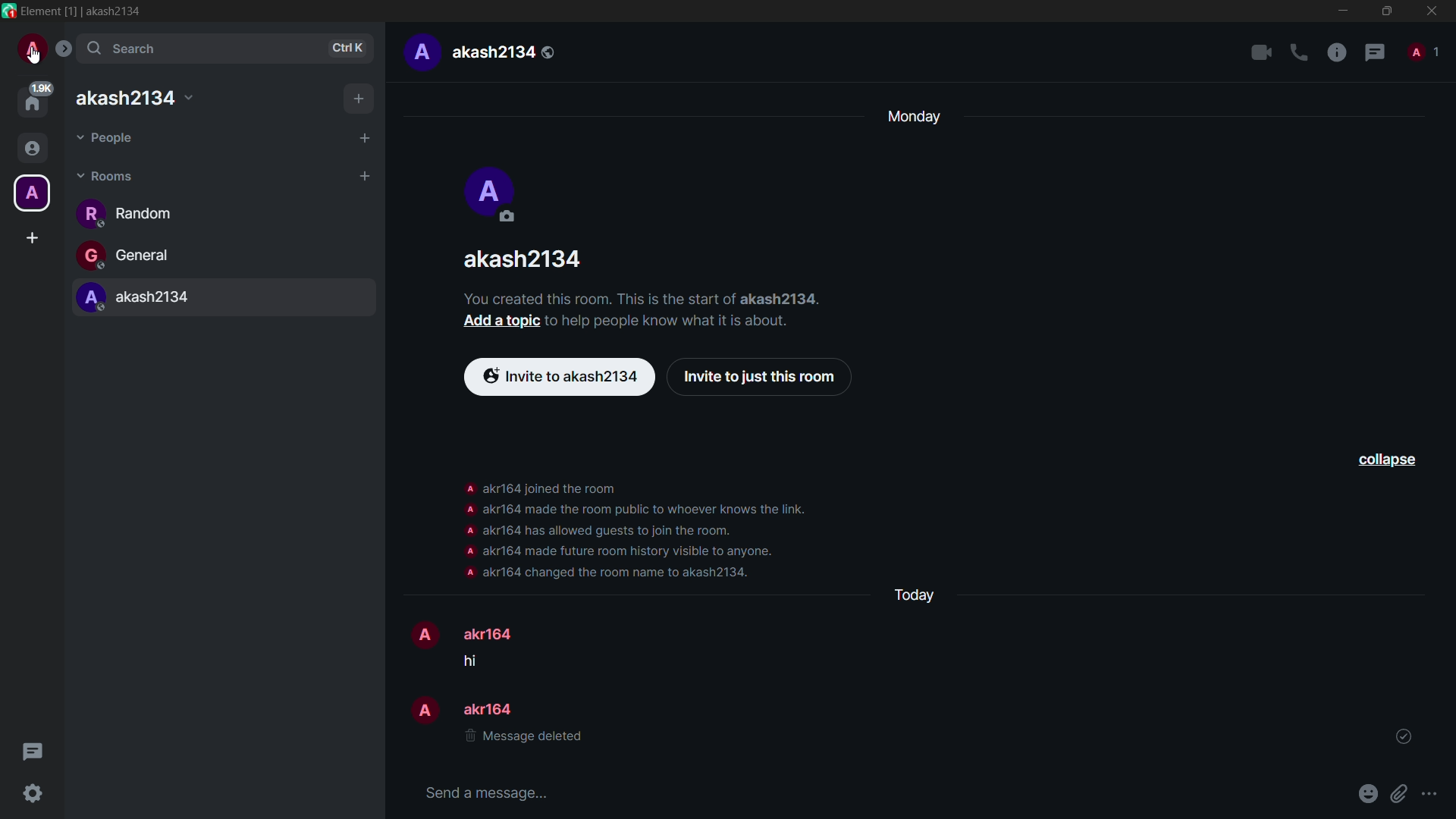  Describe the element at coordinates (41, 10) in the screenshot. I see `Element` at that location.